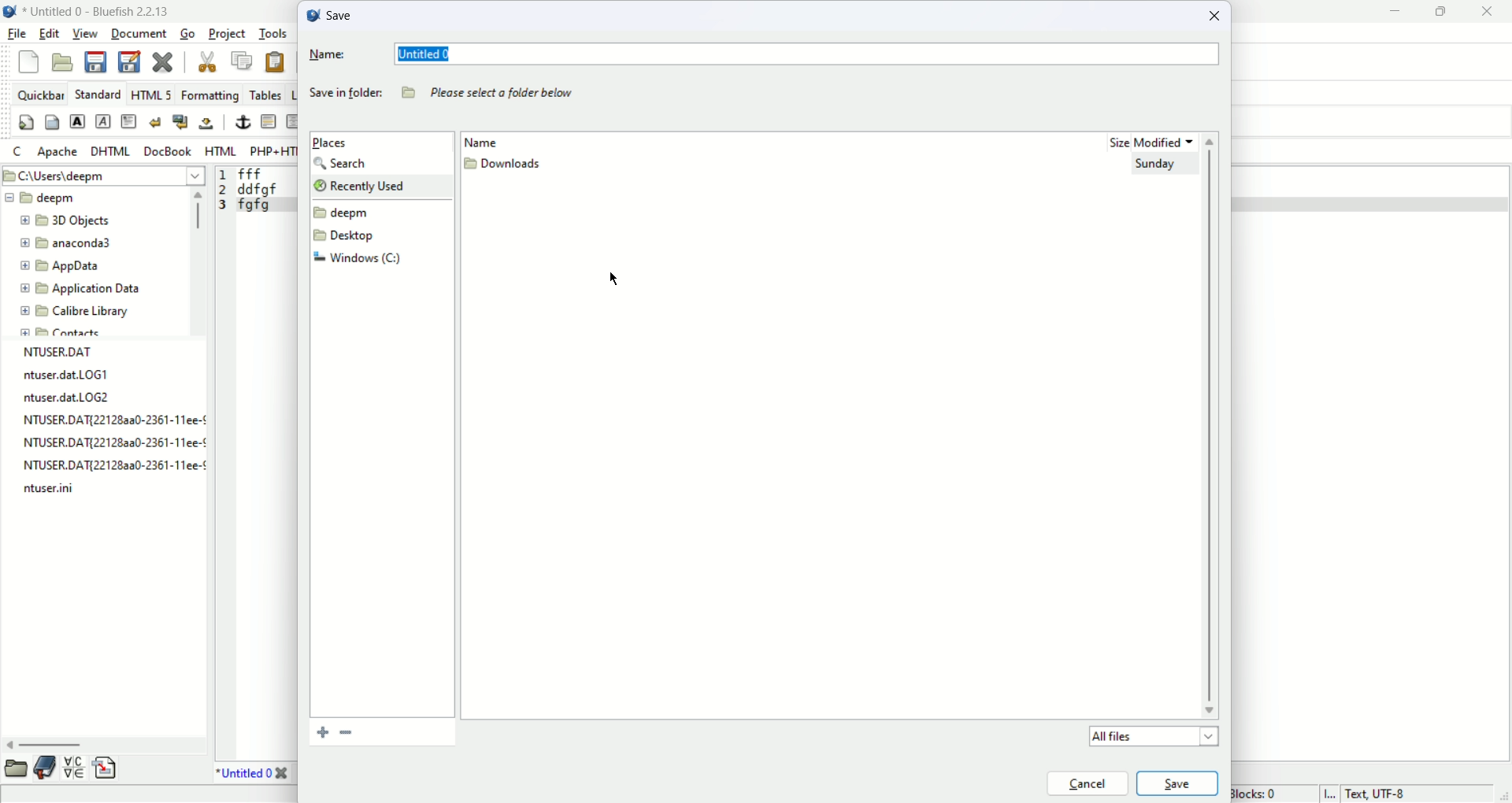 The image size is (1512, 803). Describe the element at coordinates (76, 313) in the screenshot. I see `calibre library` at that location.